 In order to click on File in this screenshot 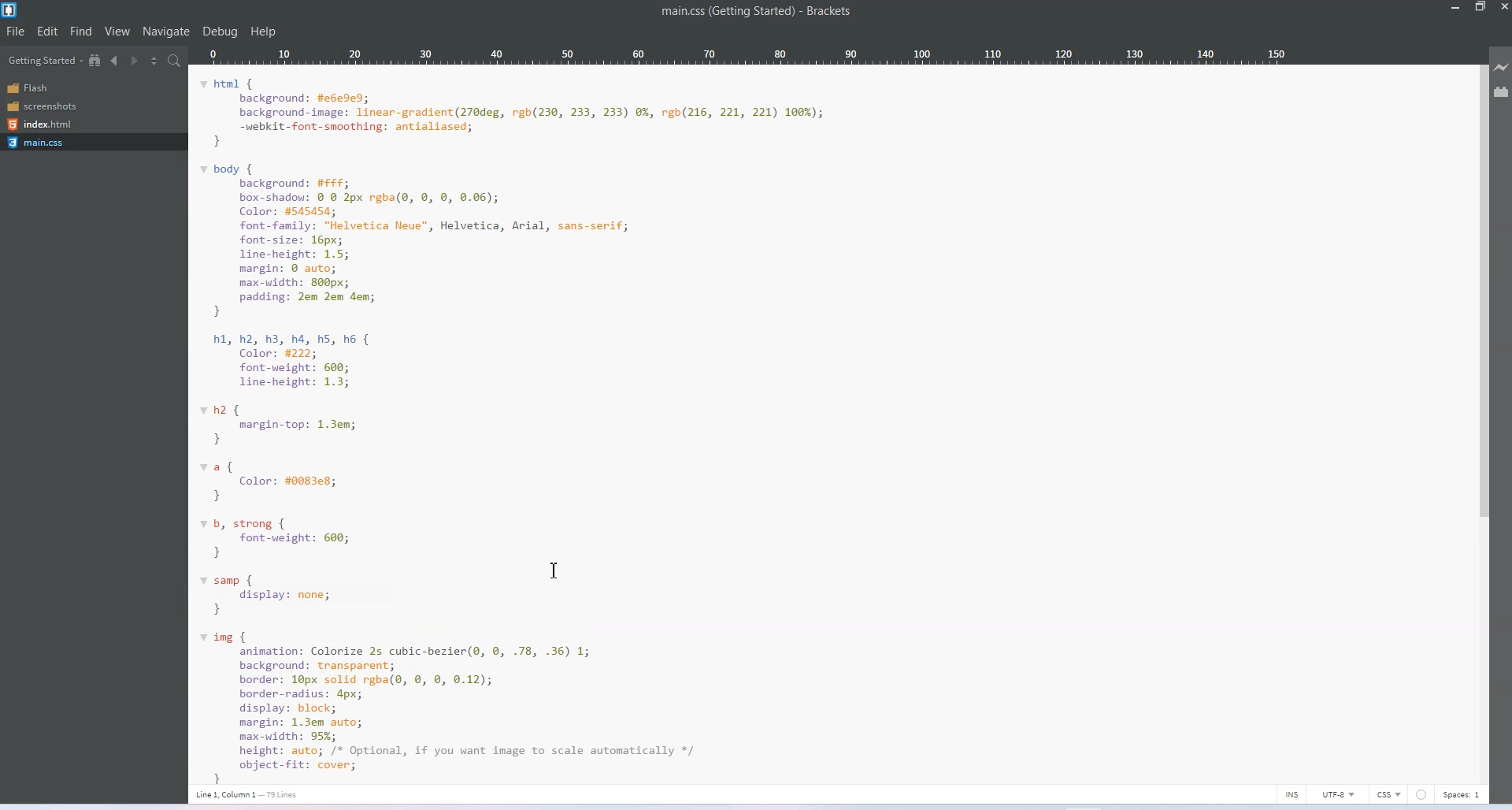, I will do `click(17, 31)`.